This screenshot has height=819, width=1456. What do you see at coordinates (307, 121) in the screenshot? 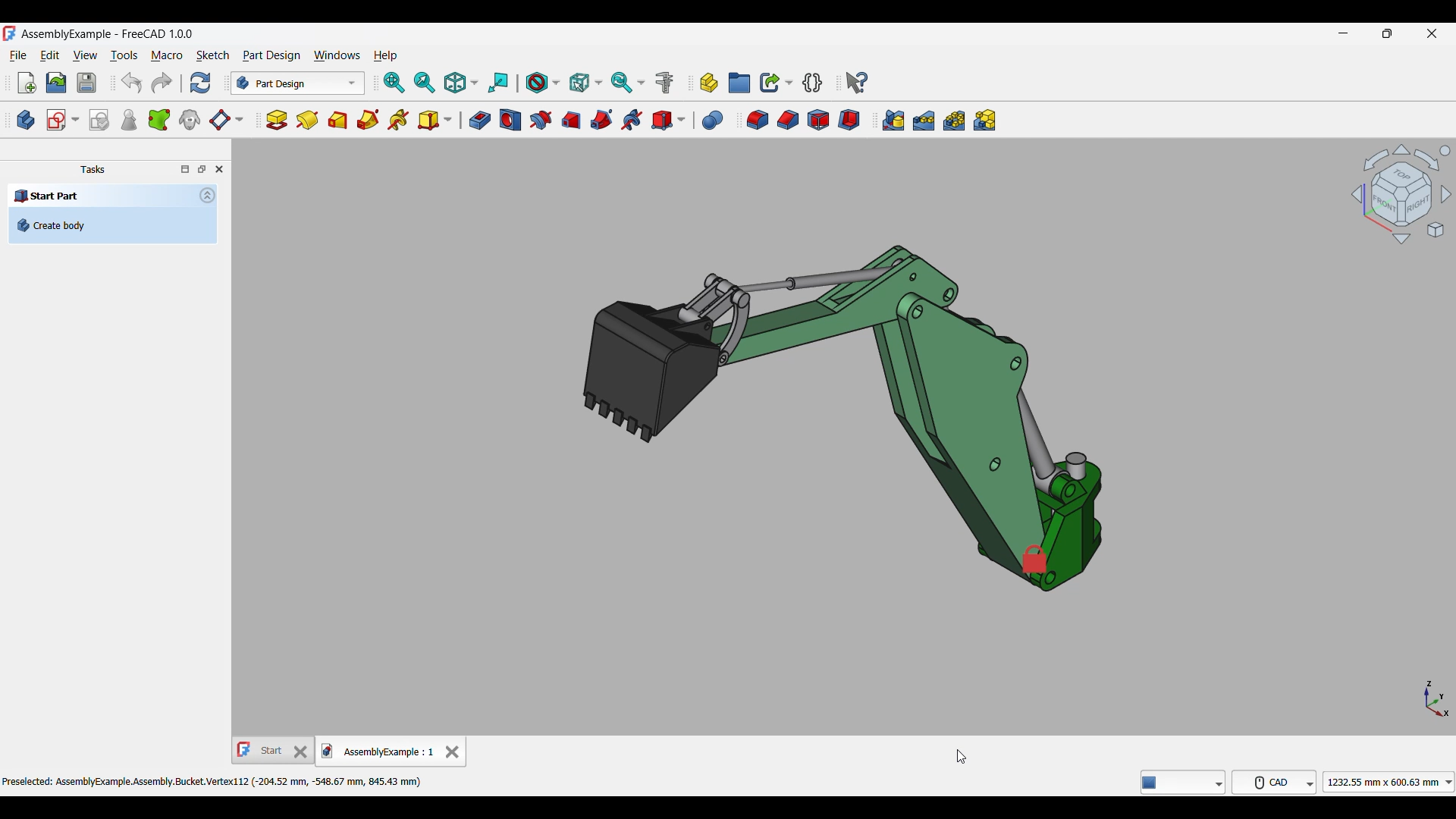
I see `Revolution` at bounding box center [307, 121].